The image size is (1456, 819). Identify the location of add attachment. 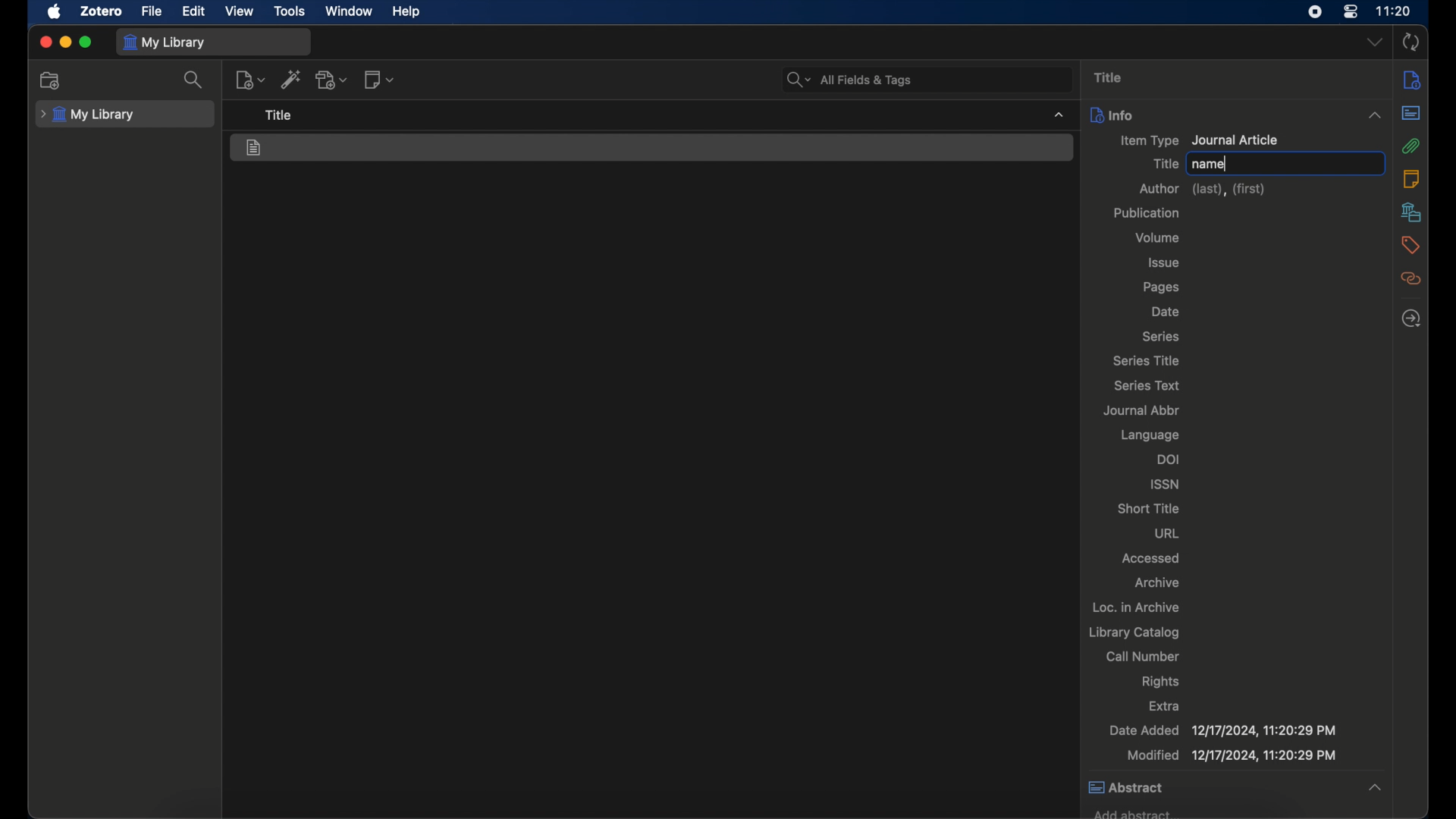
(332, 80).